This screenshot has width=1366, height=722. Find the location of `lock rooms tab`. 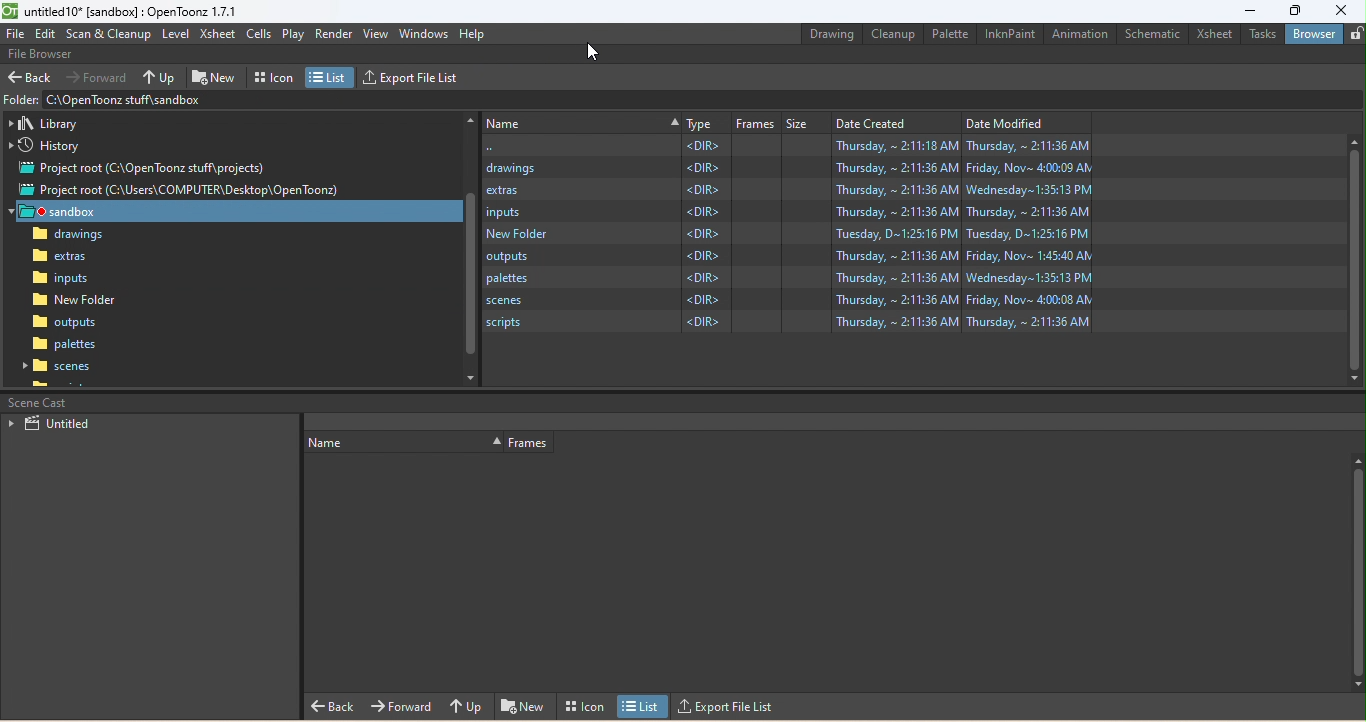

lock rooms tab is located at coordinates (1355, 33).